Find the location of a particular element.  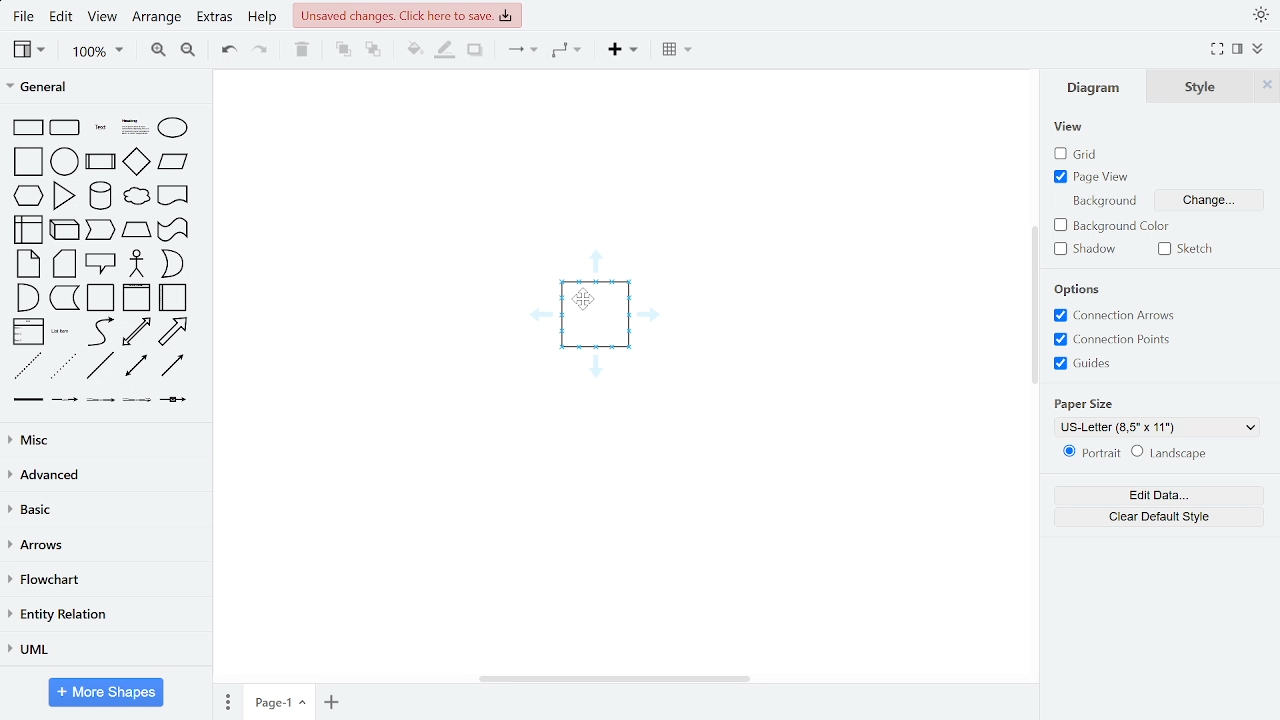

connectors is located at coordinates (520, 51).